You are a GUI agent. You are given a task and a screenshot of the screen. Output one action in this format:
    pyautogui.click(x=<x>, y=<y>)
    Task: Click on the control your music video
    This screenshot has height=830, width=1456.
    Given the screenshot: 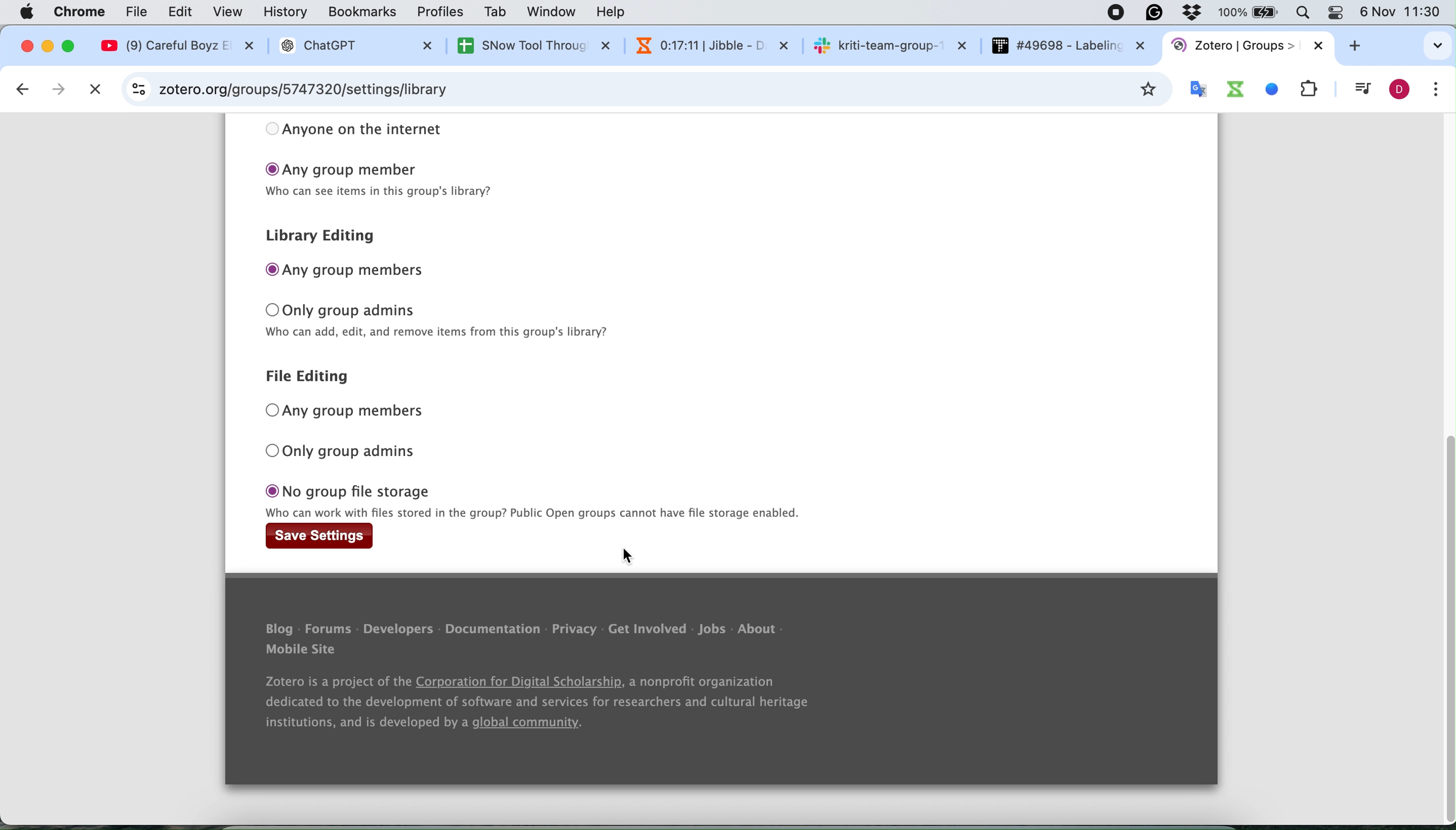 What is the action you would take?
    pyautogui.click(x=1359, y=89)
    